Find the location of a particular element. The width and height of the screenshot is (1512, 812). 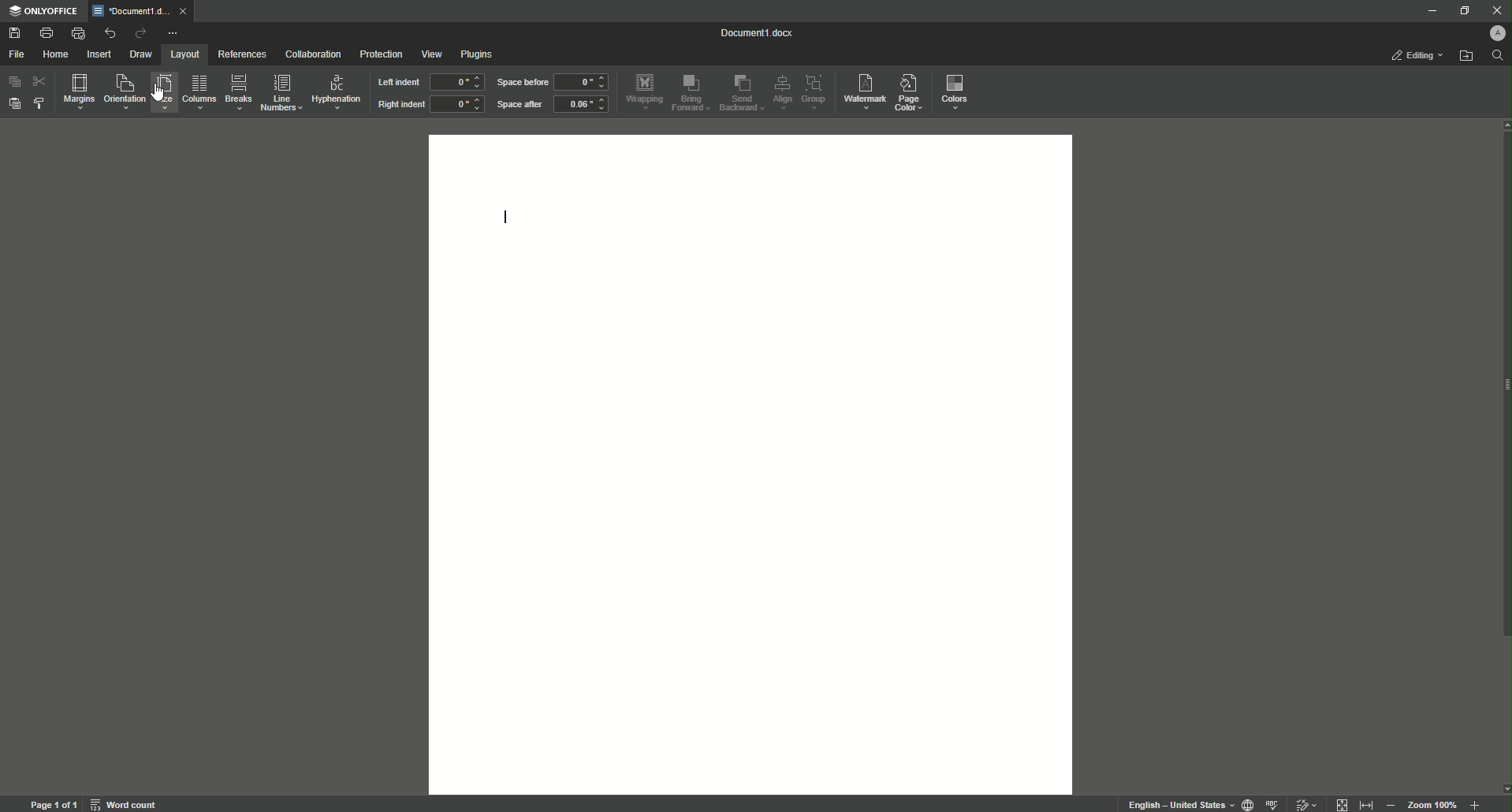

Choose styles is located at coordinates (41, 105).